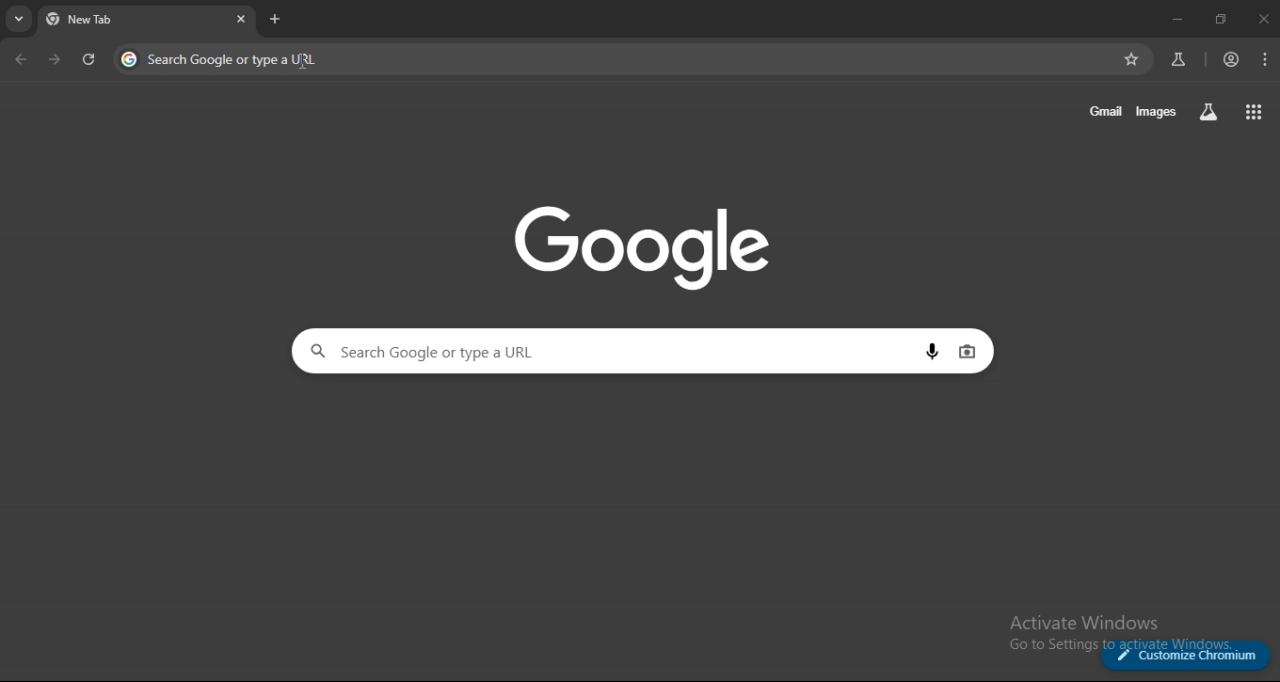  I want to click on restore down, so click(1218, 19).